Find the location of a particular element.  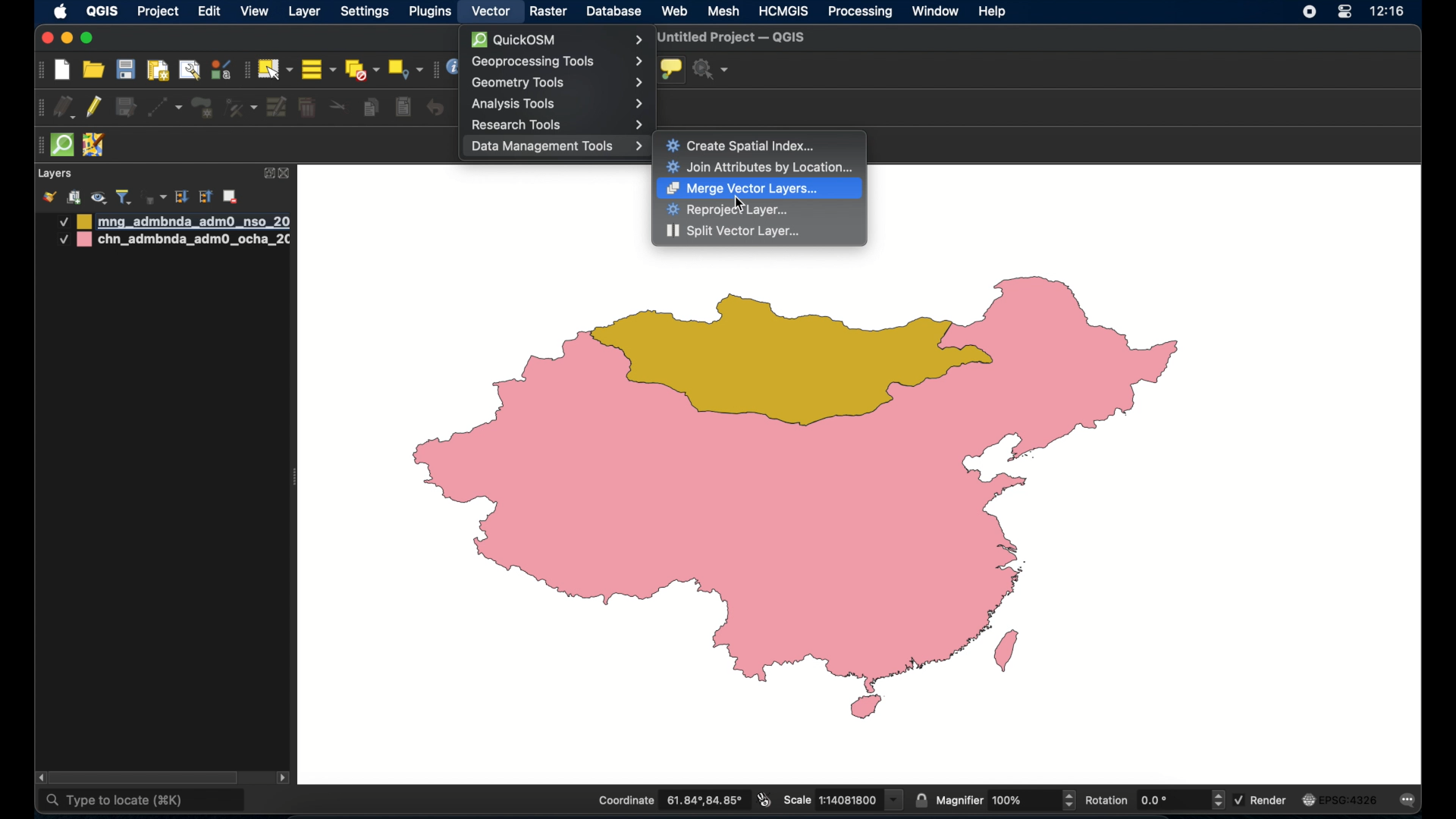

close is located at coordinates (286, 174).